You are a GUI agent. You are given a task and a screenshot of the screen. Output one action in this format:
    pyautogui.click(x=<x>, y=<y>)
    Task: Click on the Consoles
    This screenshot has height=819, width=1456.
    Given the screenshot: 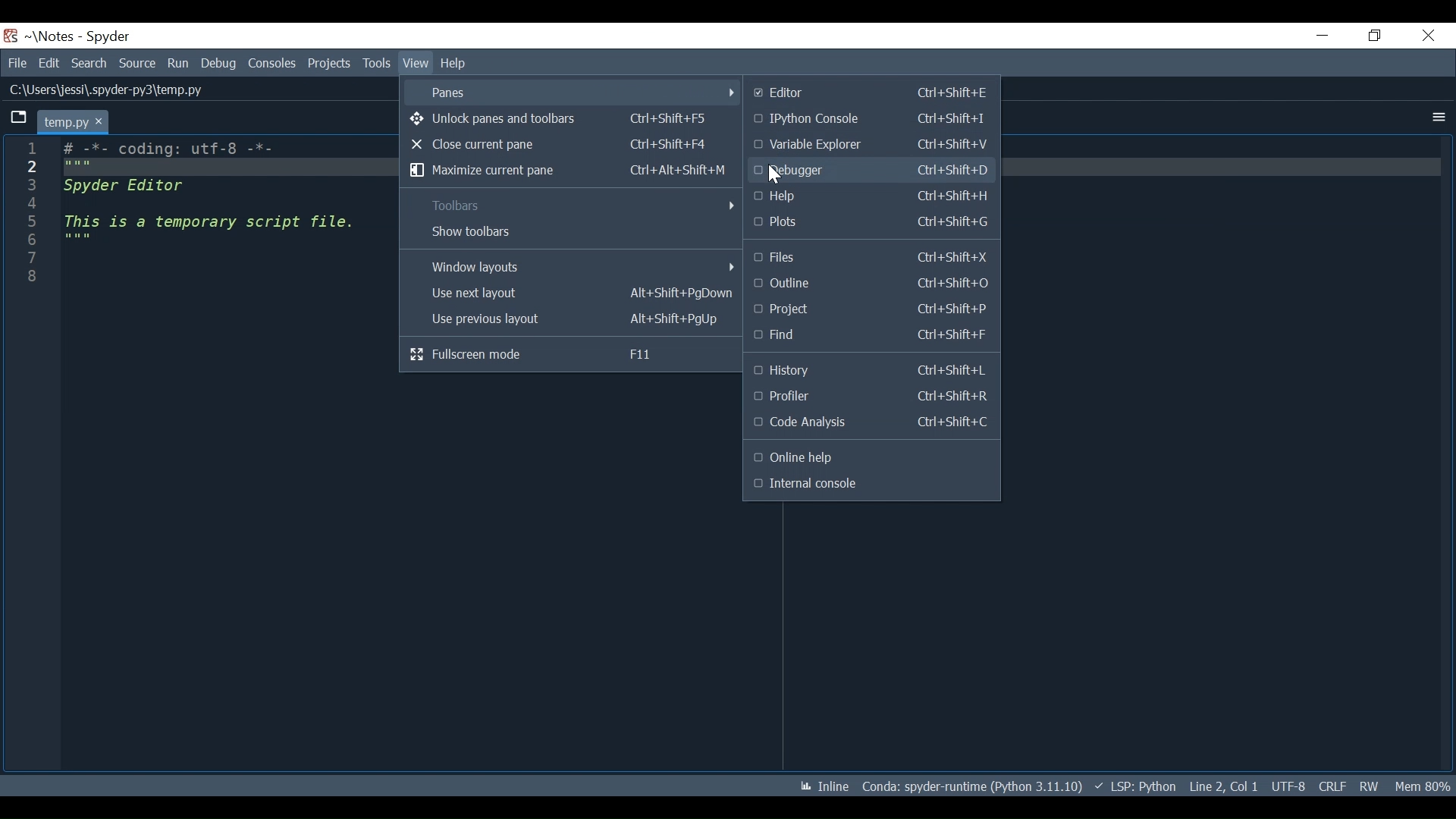 What is the action you would take?
    pyautogui.click(x=271, y=63)
    